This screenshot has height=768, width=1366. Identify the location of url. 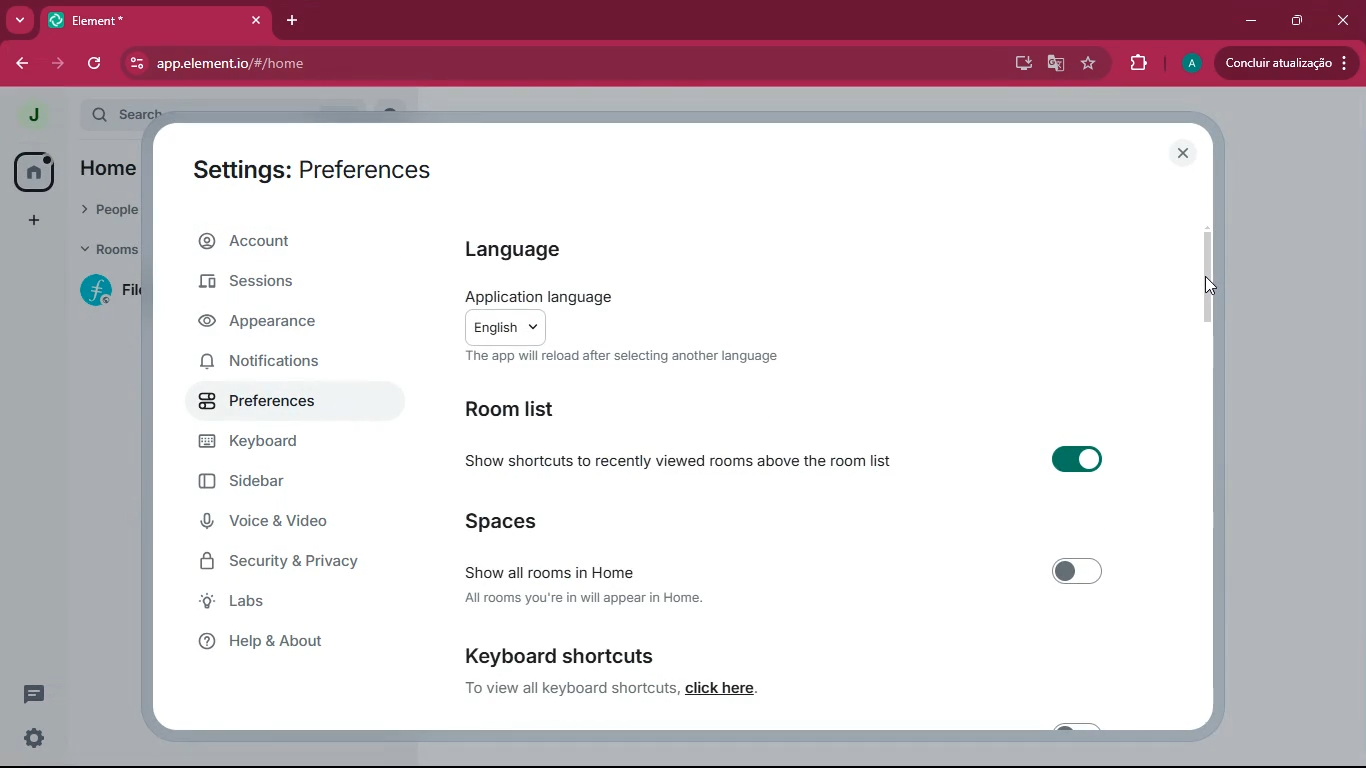
(353, 64).